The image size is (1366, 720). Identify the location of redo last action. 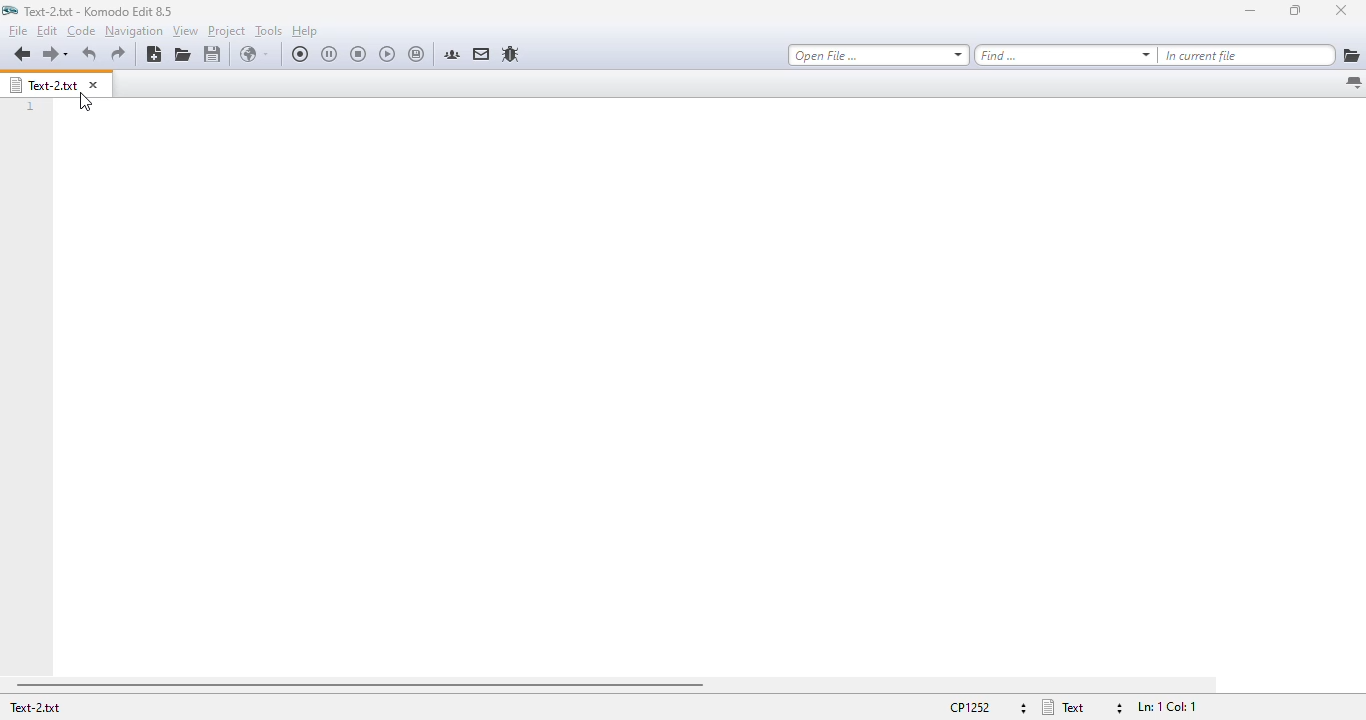
(117, 54).